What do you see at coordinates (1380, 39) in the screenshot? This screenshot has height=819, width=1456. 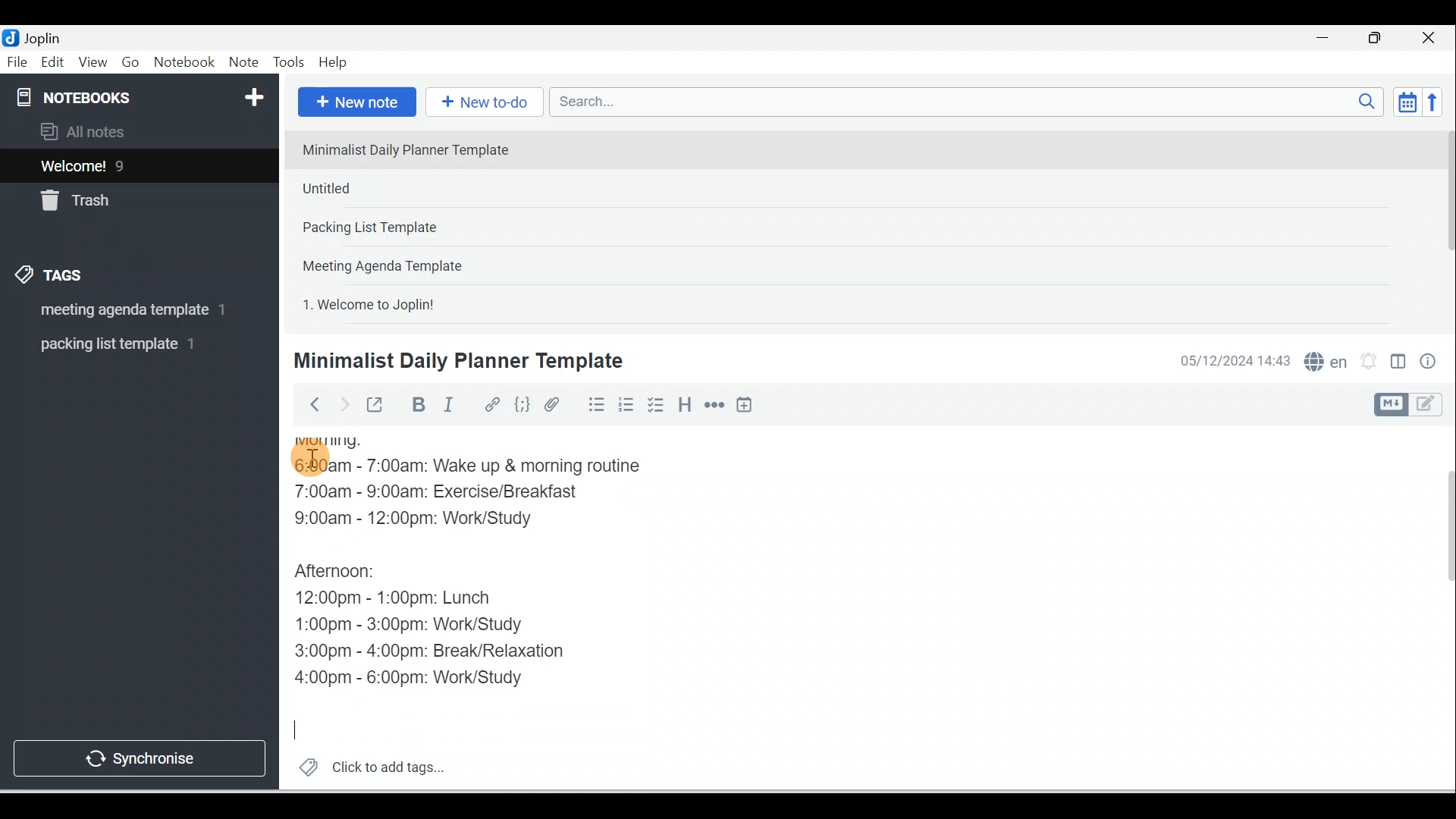 I see `Maximise` at bounding box center [1380, 39].